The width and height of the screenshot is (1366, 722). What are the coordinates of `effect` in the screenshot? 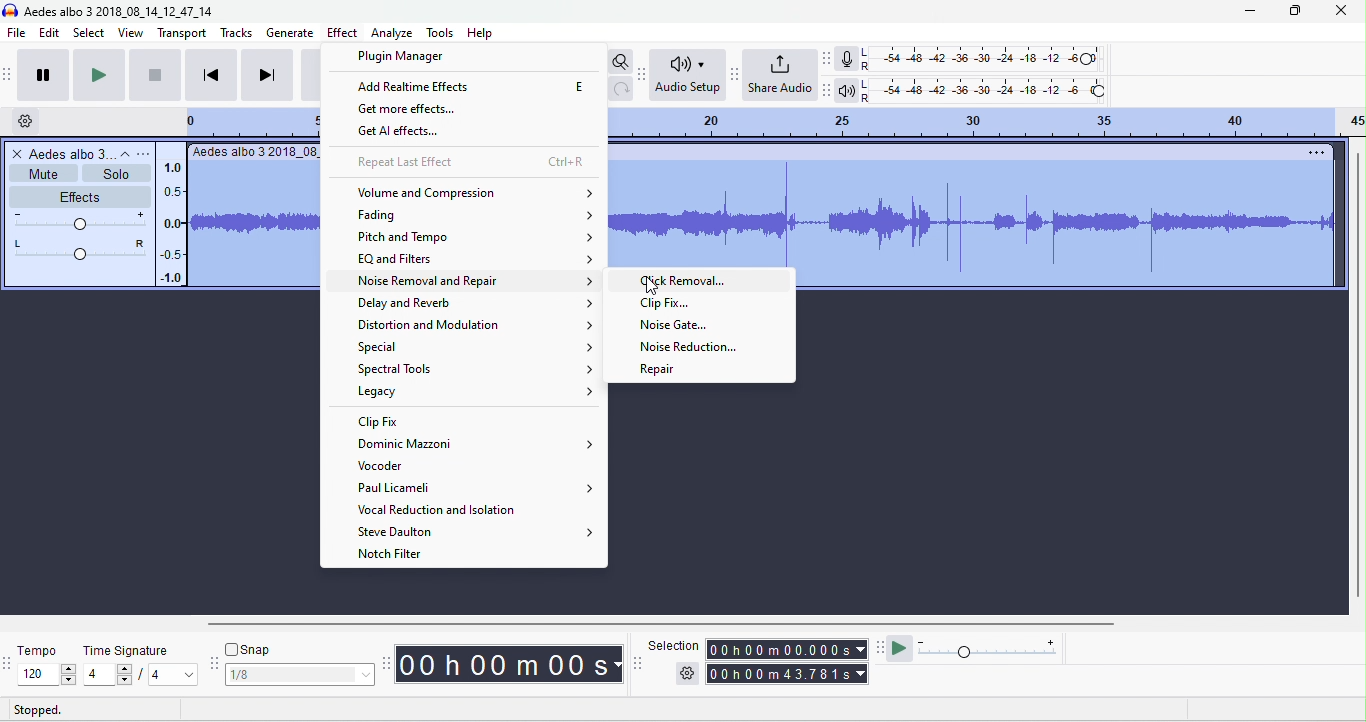 It's located at (342, 34).